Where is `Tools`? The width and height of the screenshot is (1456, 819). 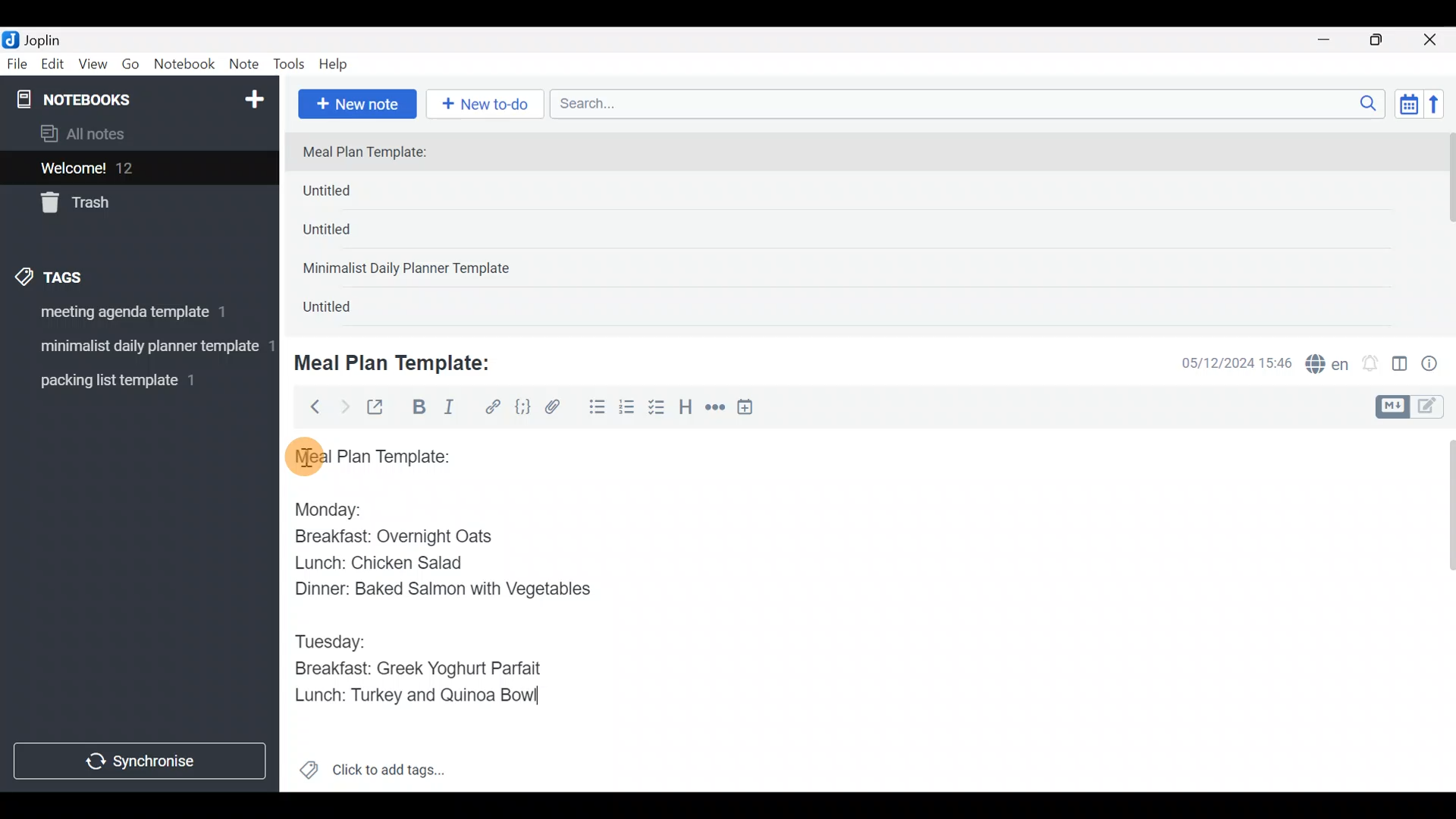
Tools is located at coordinates (290, 65).